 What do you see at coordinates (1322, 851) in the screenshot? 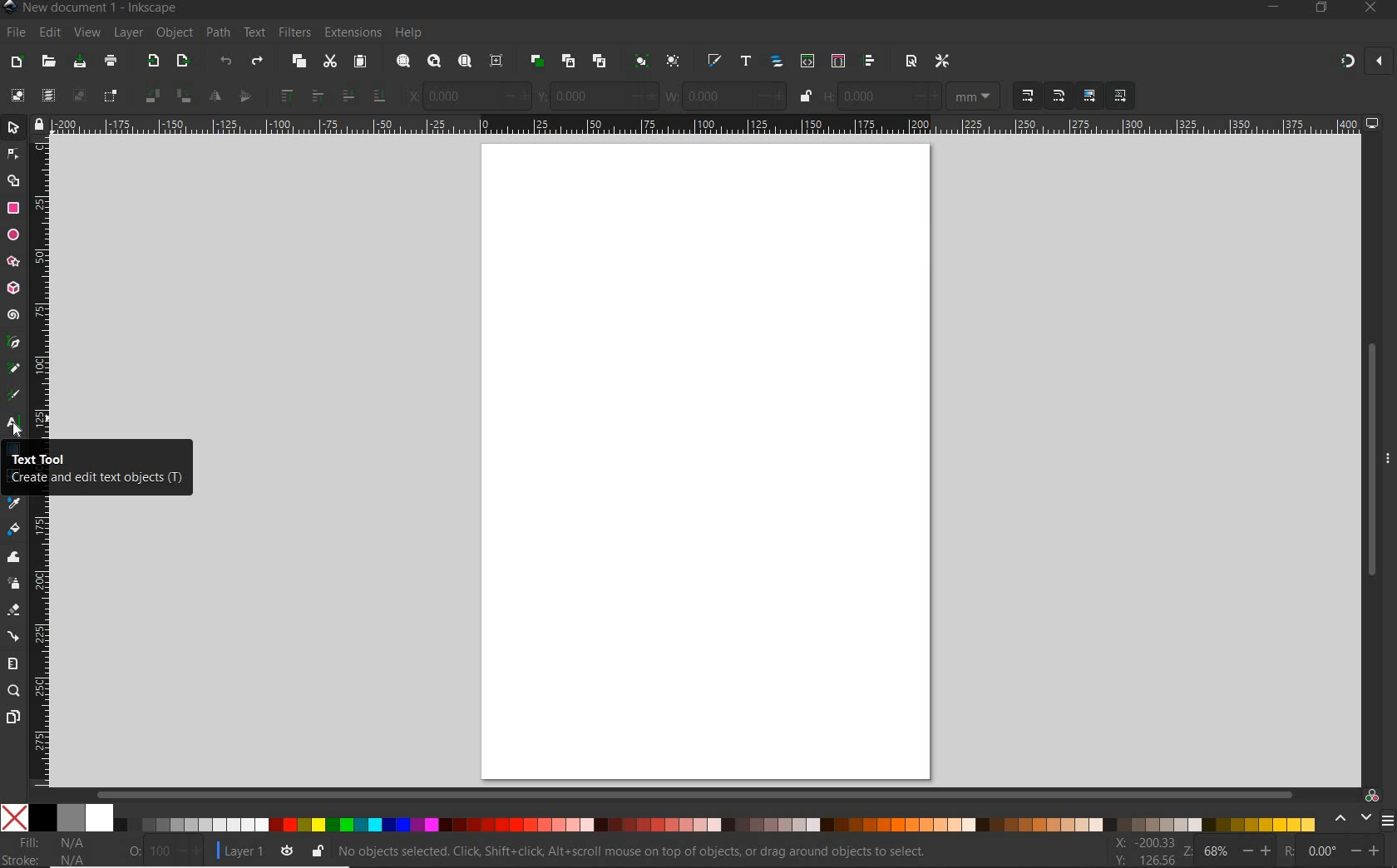
I see `0` at bounding box center [1322, 851].